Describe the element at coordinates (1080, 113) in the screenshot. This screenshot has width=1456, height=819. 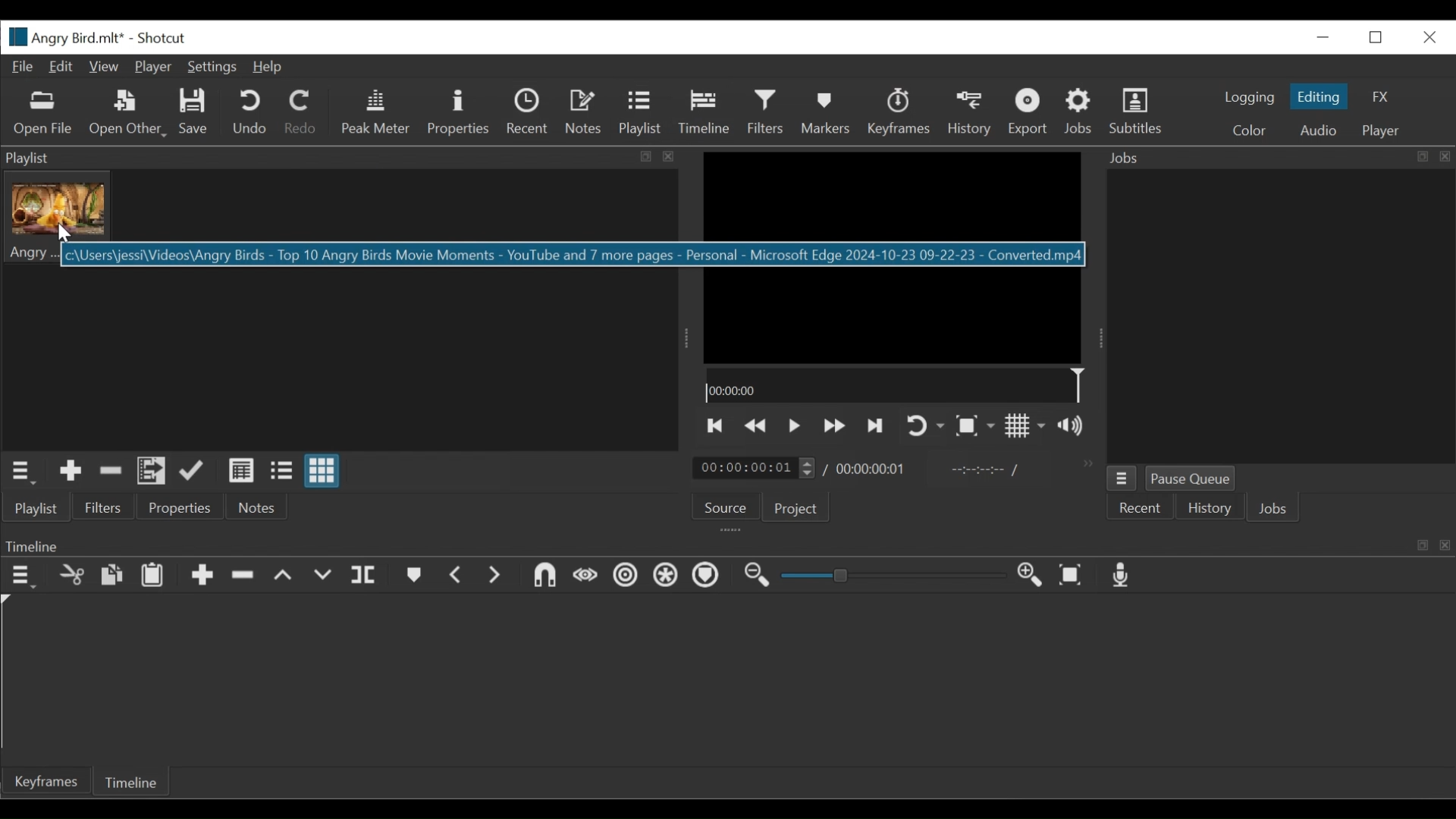
I see `Jobs` at that location.